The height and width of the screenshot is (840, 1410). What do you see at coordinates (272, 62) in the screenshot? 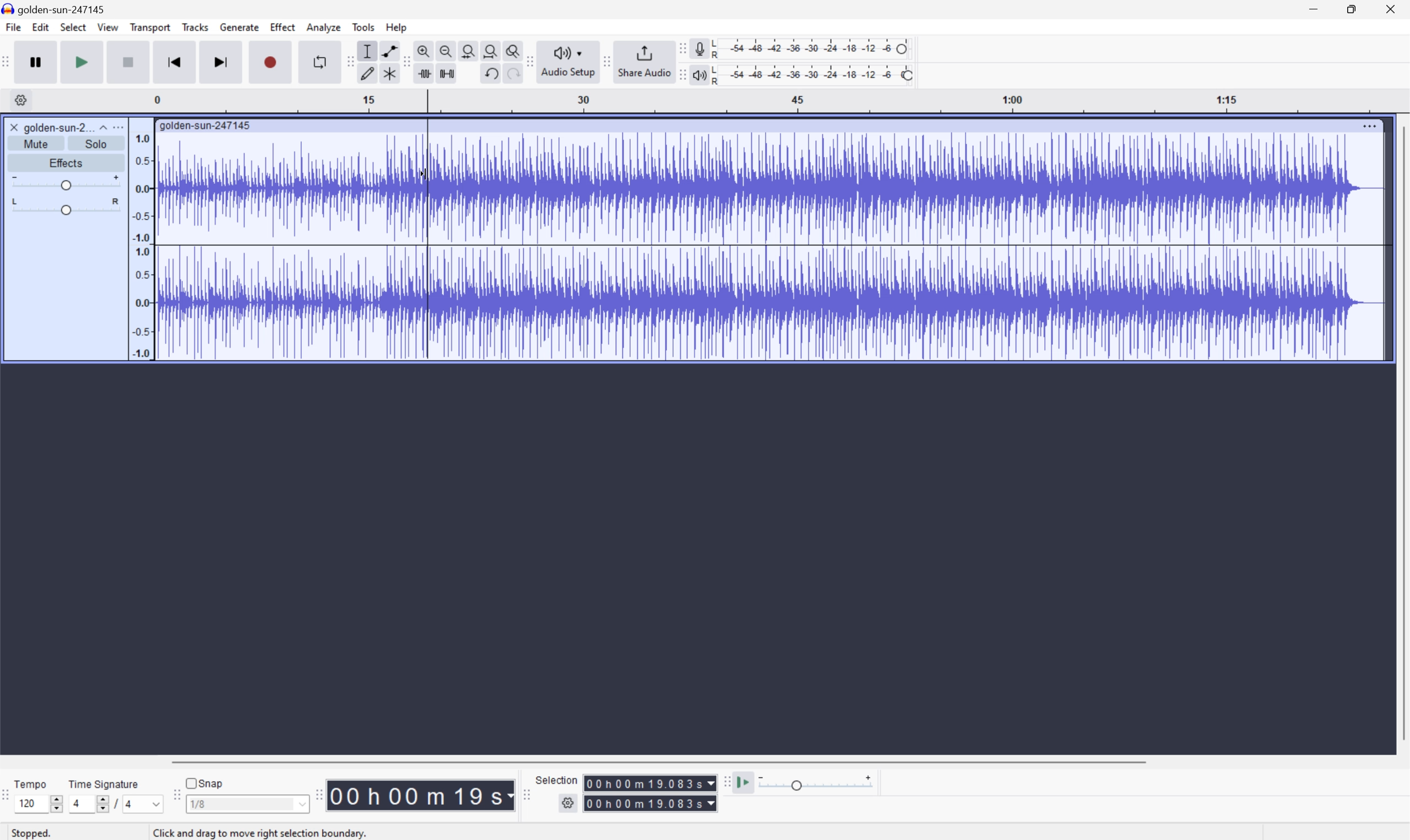
I see `Record / Record new track` at bounding box center [272, 62].